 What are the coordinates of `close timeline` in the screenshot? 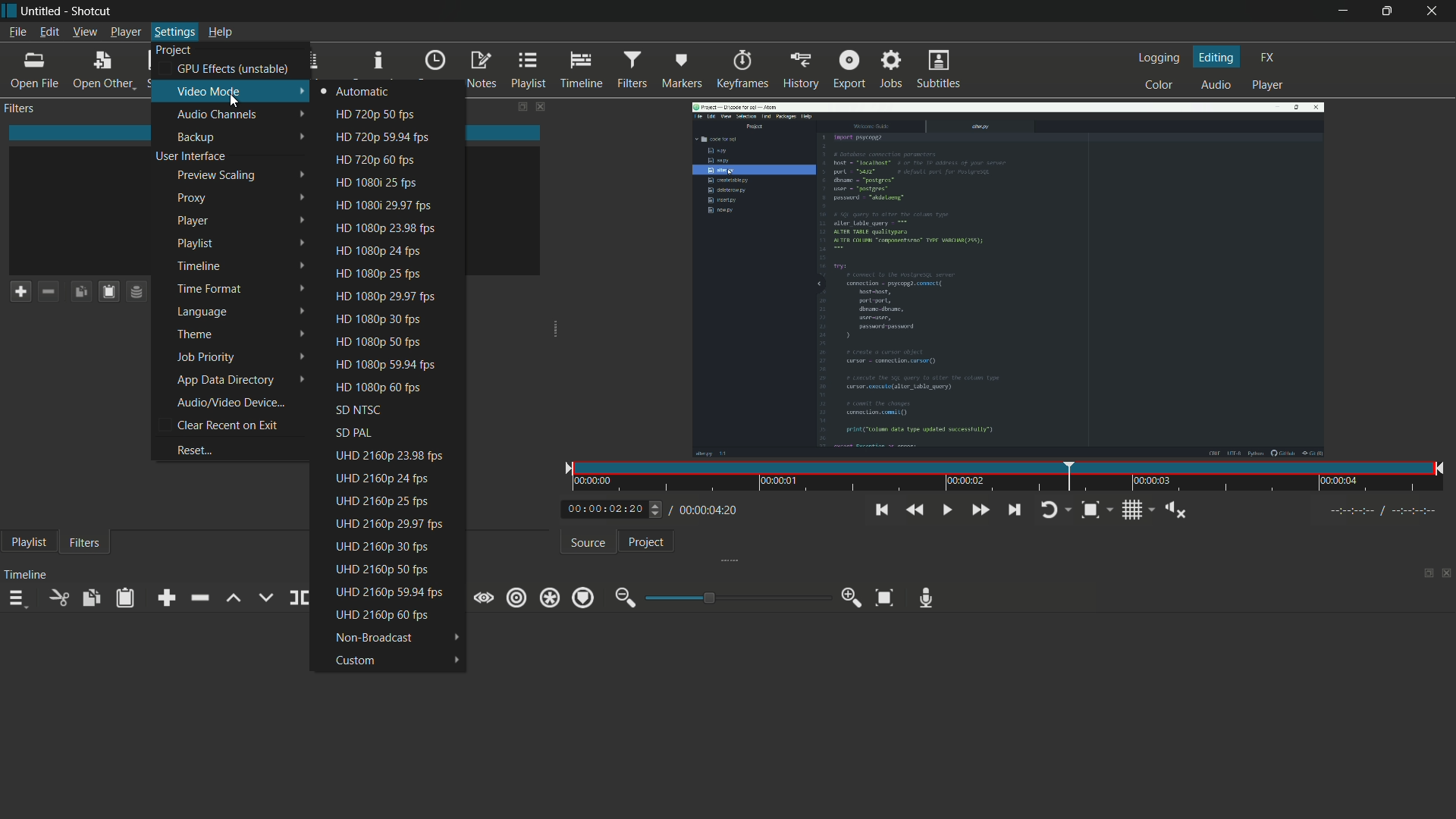 It's located at (1447, 575).